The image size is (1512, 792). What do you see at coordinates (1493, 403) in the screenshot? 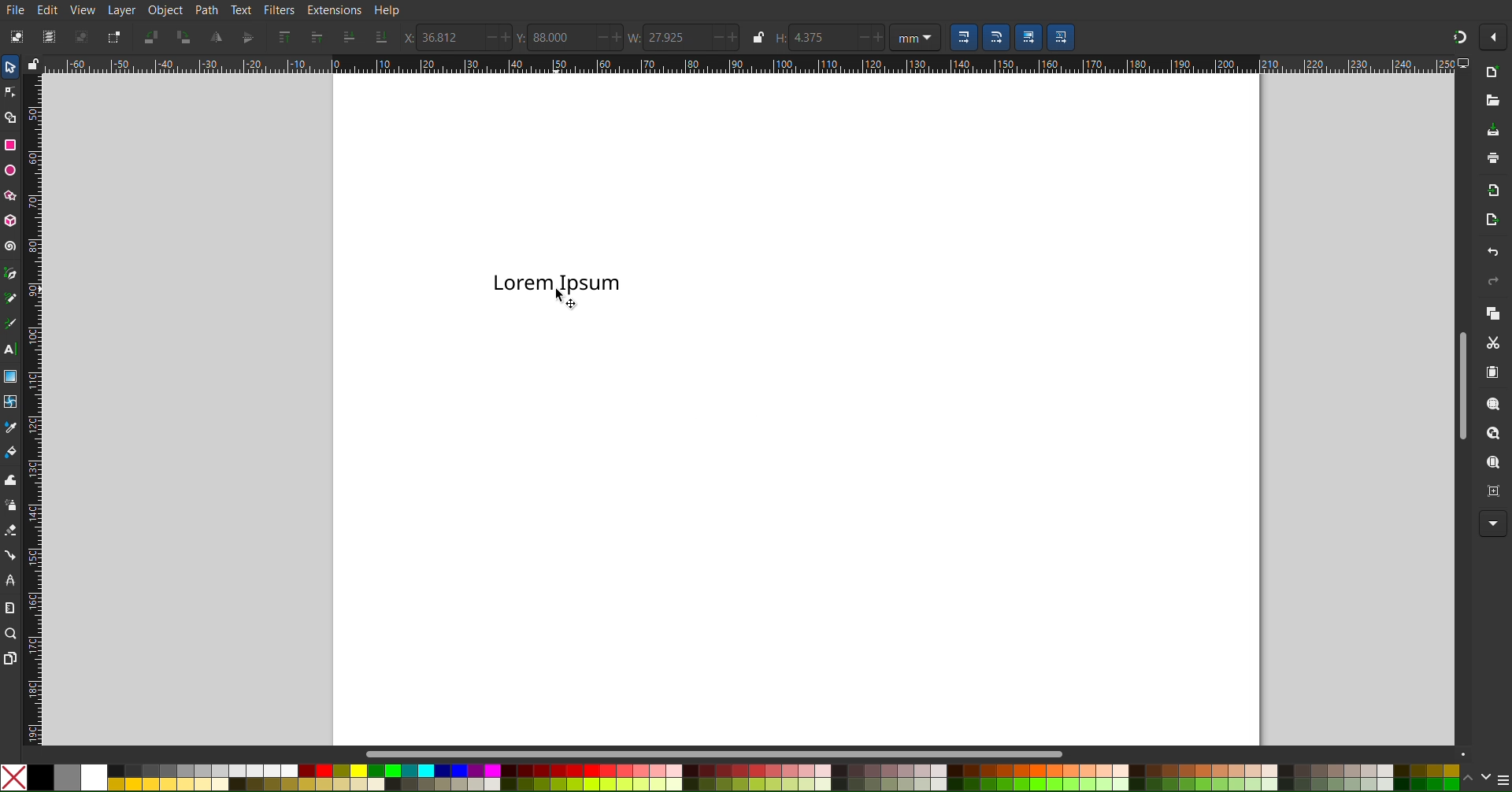
I see `Zoom Selection` at bounding box center [1493, 403].